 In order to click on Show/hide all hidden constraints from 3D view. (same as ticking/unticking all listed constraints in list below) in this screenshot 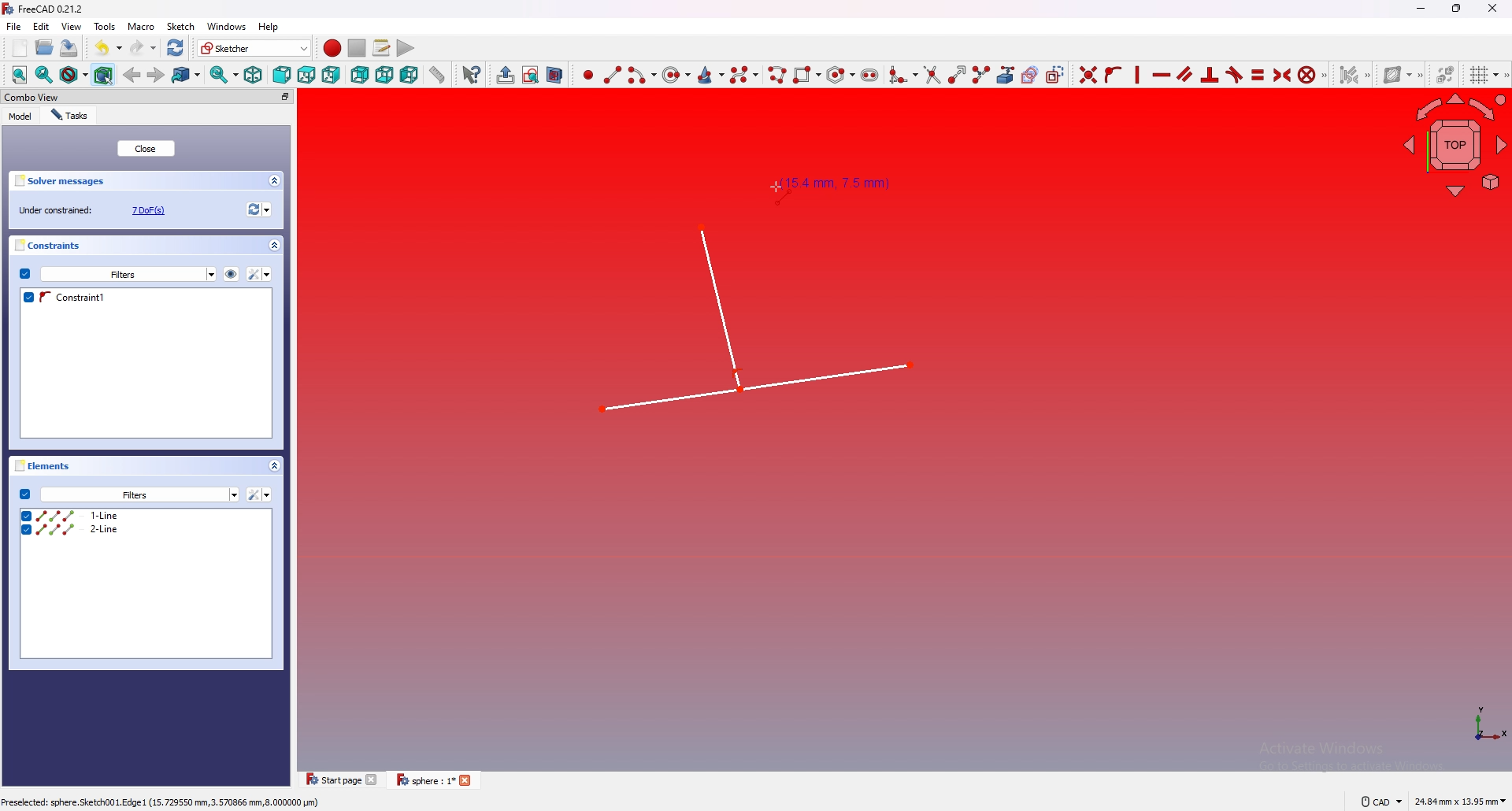, I will do `click(231, 272)`.